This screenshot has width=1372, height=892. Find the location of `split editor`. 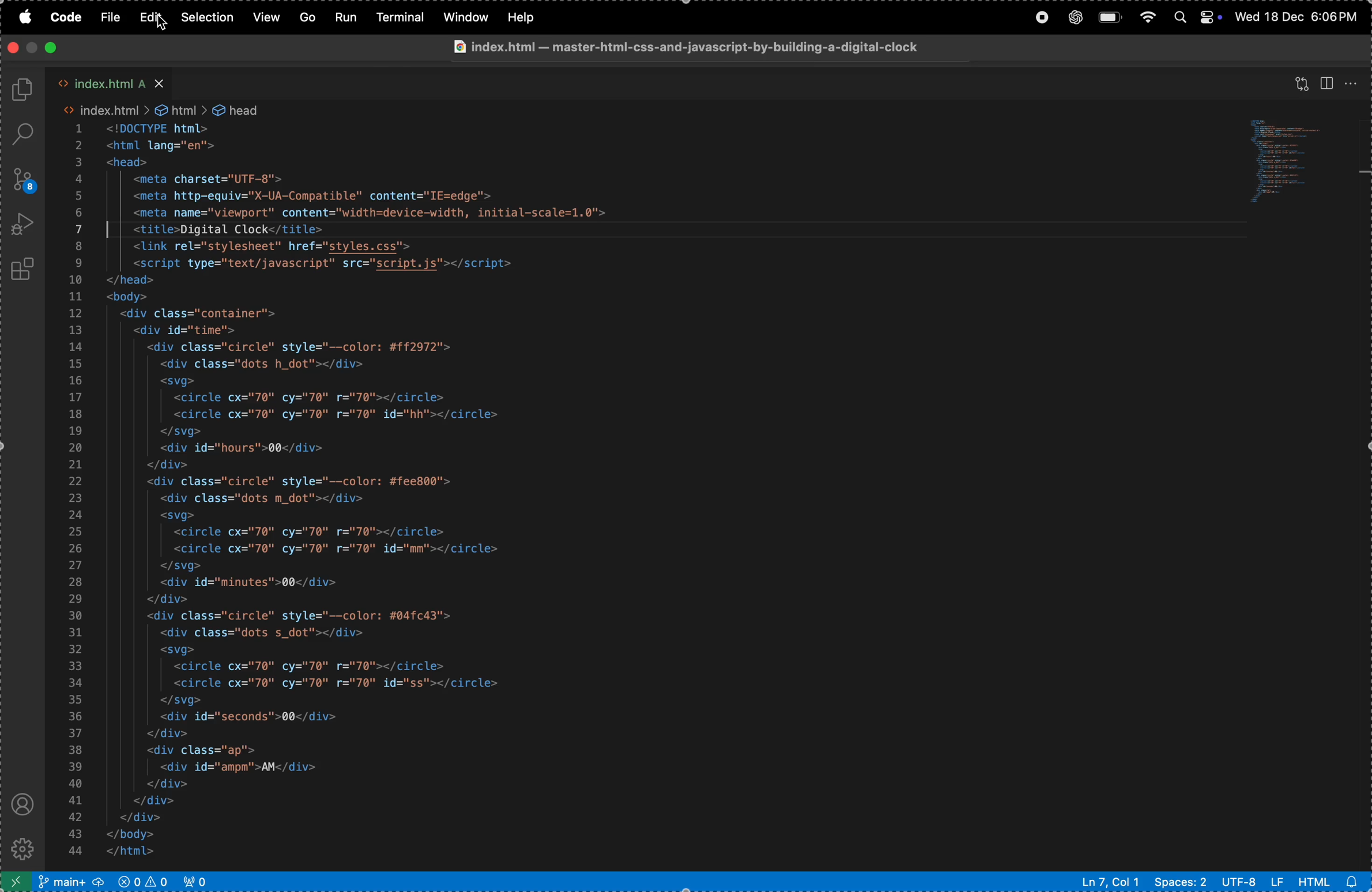

split editor is located at coordinates (1328, 82).